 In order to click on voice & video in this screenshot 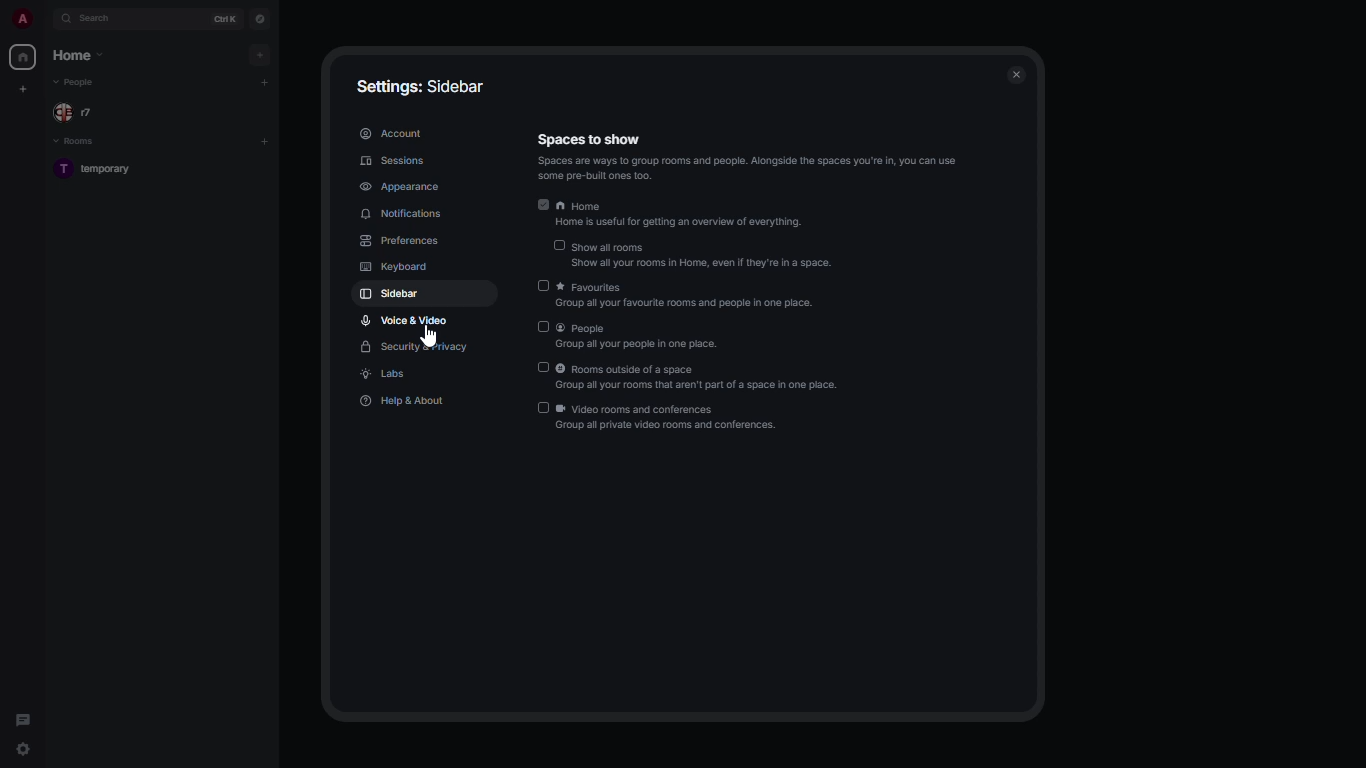, I will do `click(404, 320)`.